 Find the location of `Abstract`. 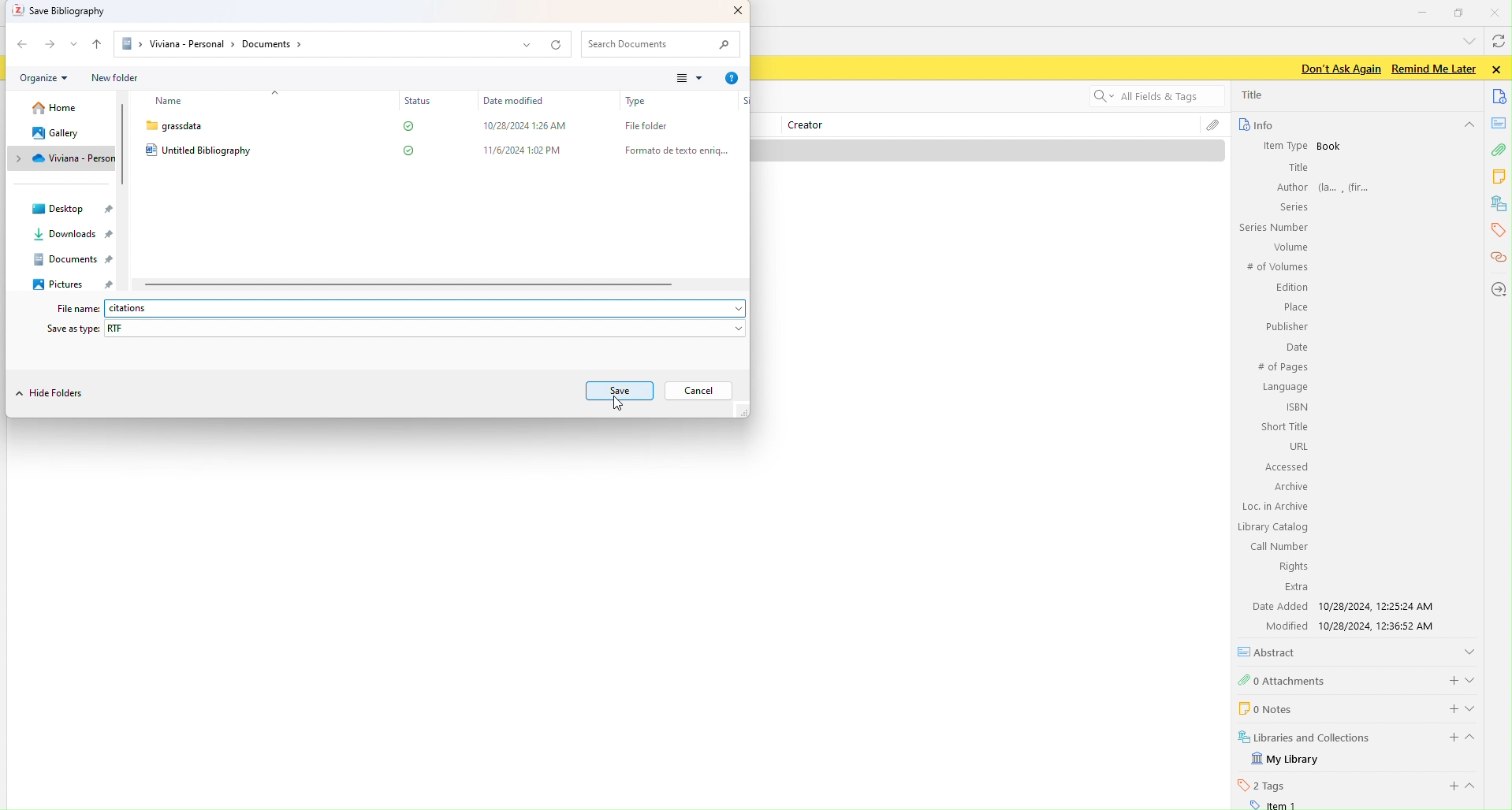

Abstract is located at coordinates (1272, 652).